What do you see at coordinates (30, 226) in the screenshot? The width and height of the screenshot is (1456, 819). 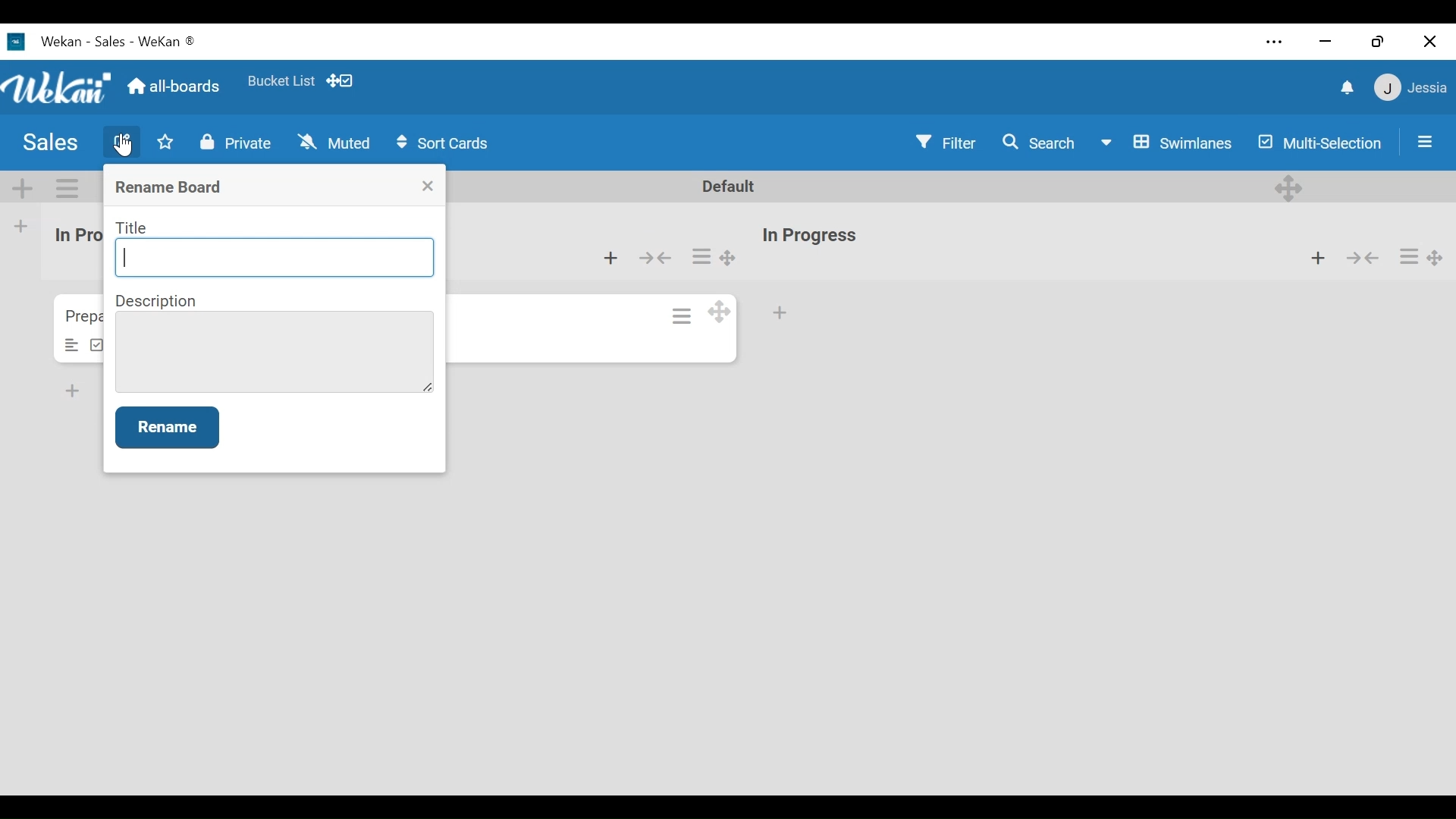 I see `add list` at bounding box center [30, 226].